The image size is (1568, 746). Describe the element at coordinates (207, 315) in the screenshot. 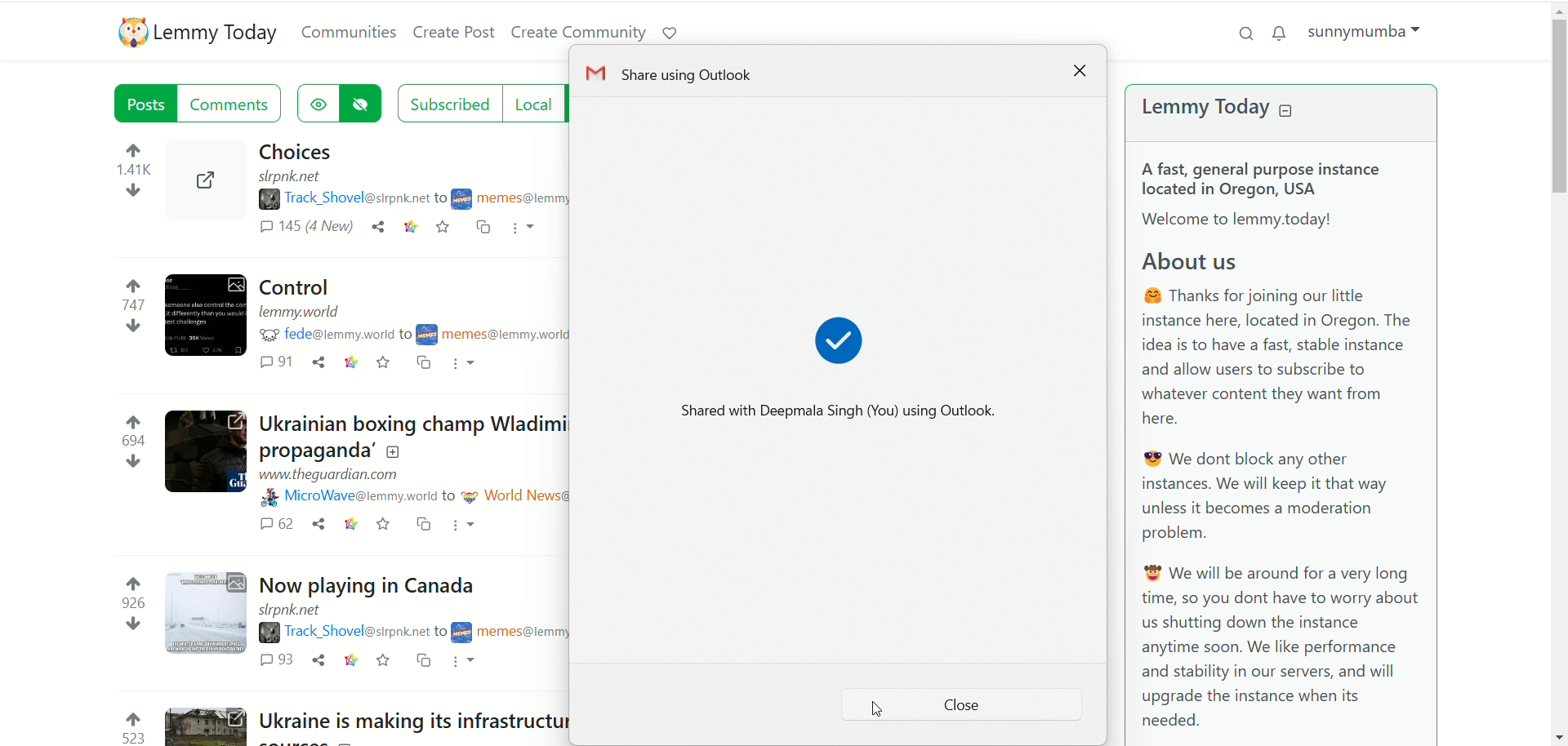

I see `Expand the post with the image` at that location.